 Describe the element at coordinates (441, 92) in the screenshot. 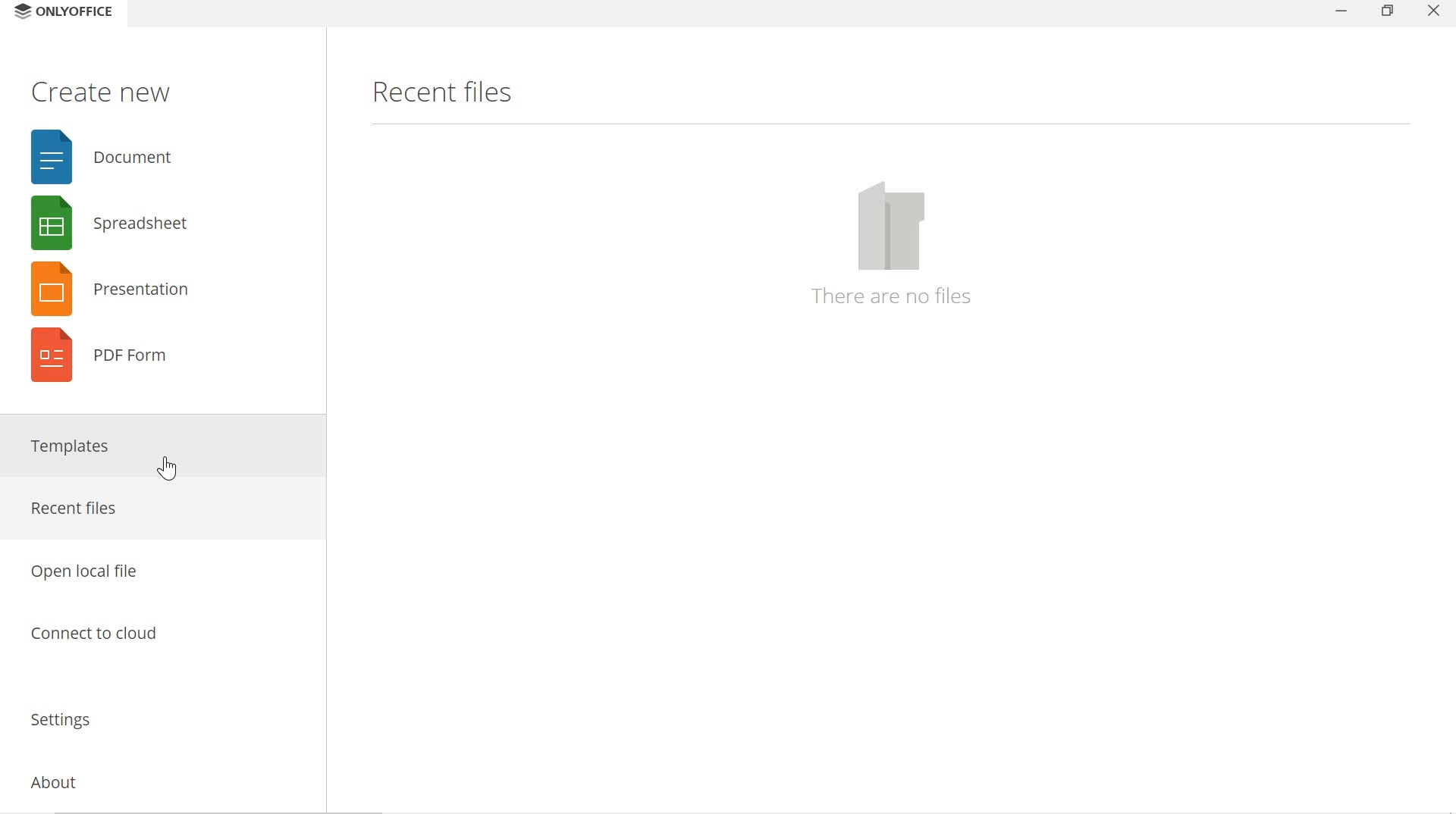

I see `recent files` at that location.